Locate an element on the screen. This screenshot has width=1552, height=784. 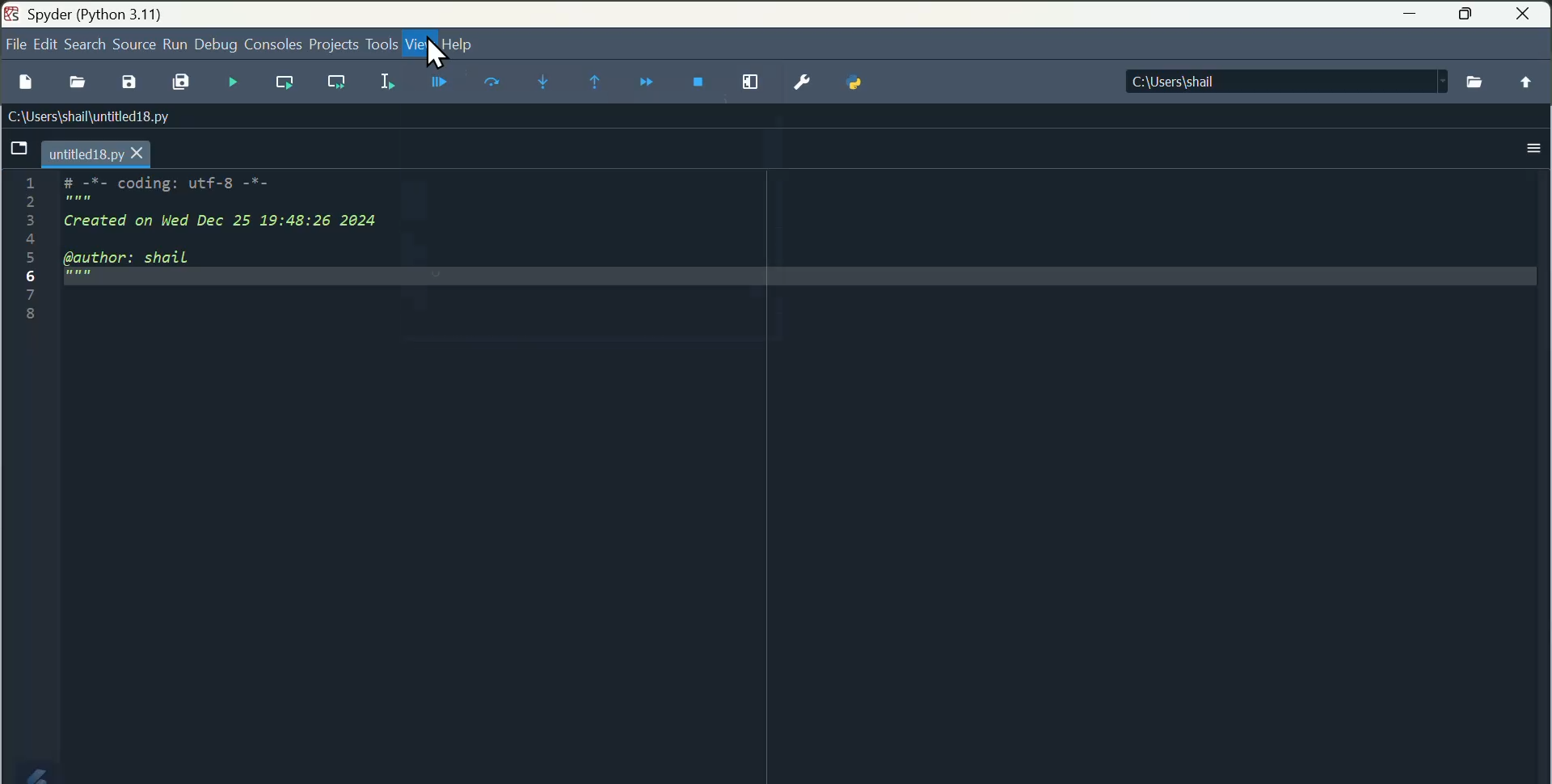
More options is located at coordinates (1533, 150).